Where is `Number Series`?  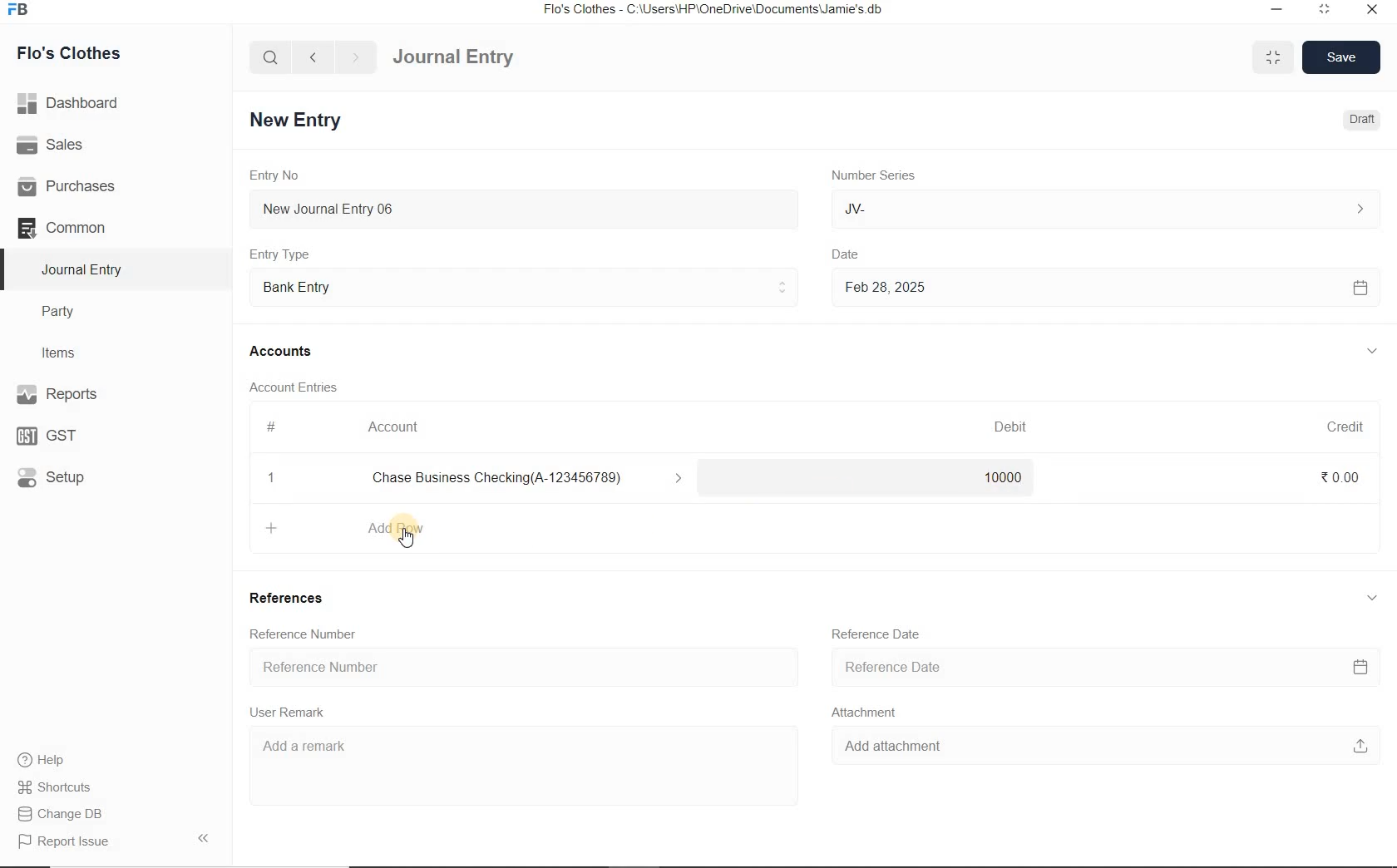 Number Series is located at coordinates (871, 175).